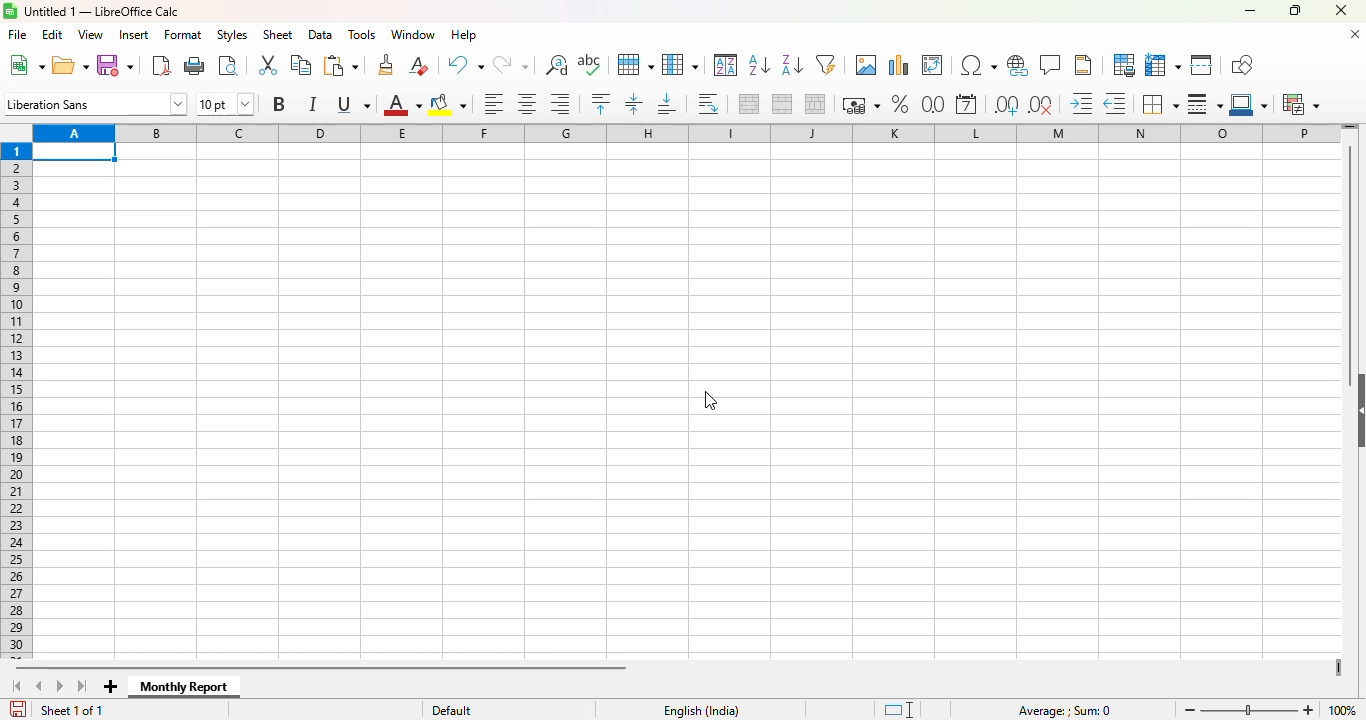 This screenshot has width=1366, height=720. Describe the element at coordinates (1202, 65) in the screenshot. I see `split window` at that location.